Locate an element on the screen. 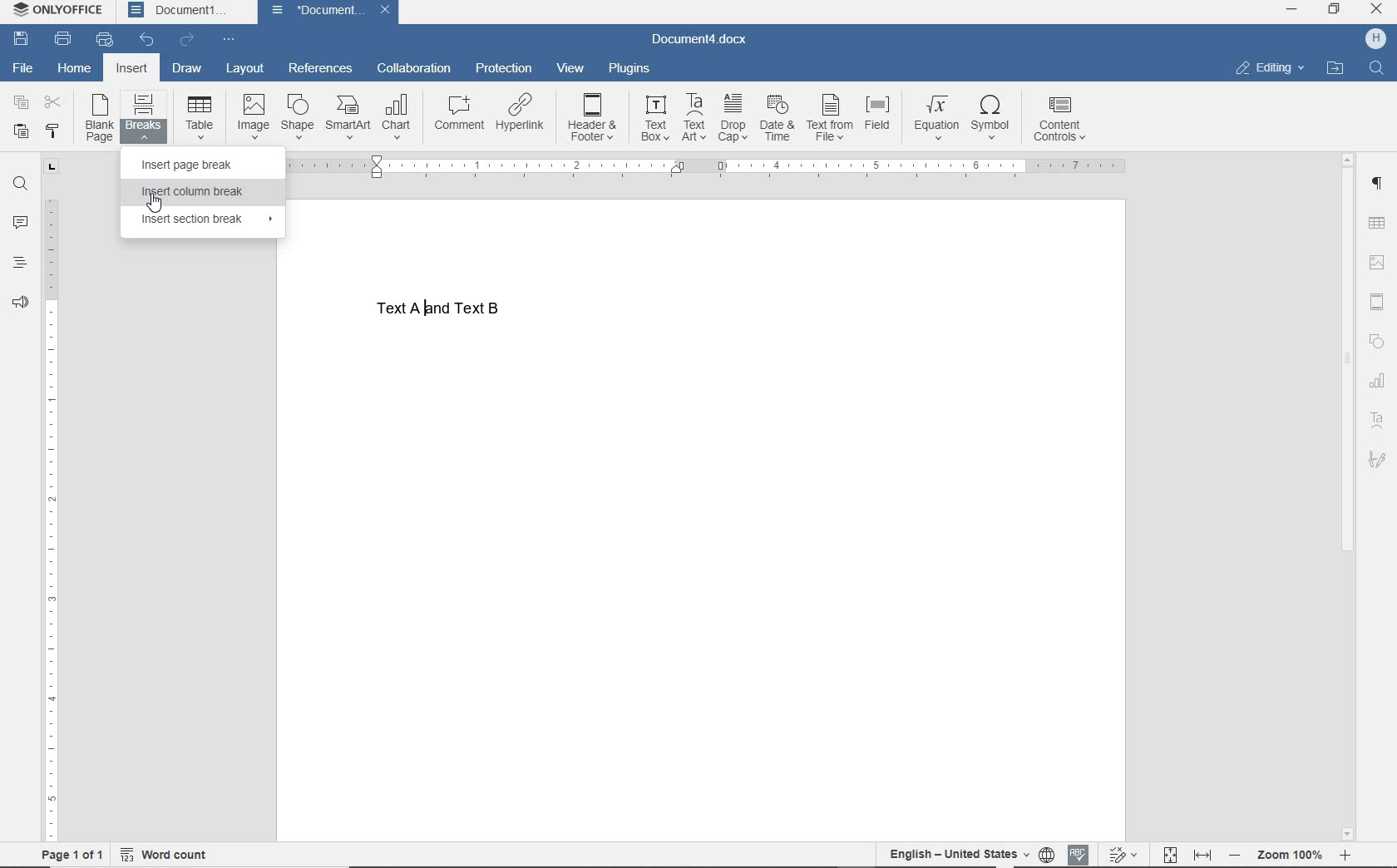 The width and height of the screenshot is (1397, 868). HOME is located at coordinates (74, 68).